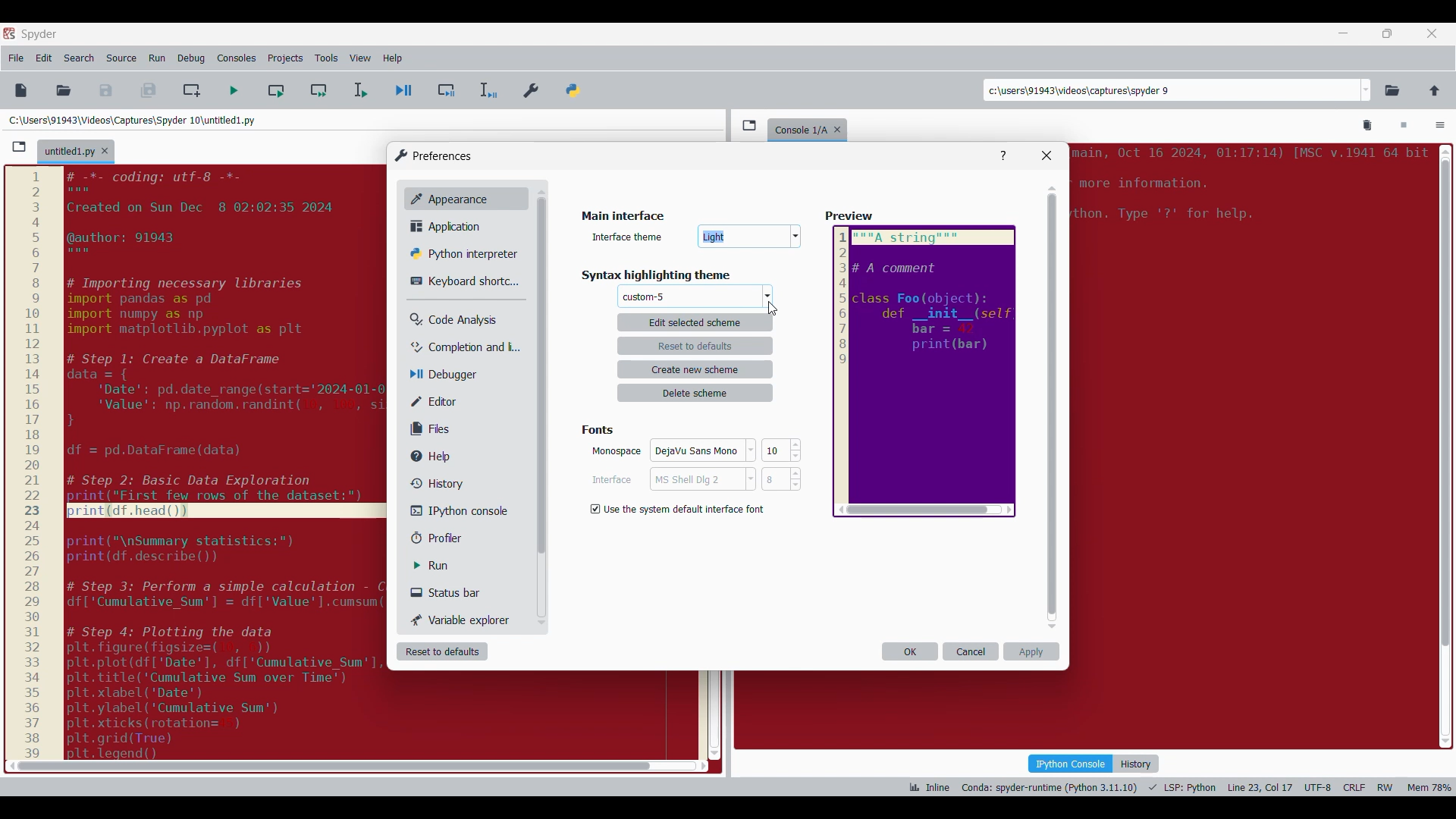  Describe the element at coordinates (132, 120) in the screenshot. I see `File location` at that location.